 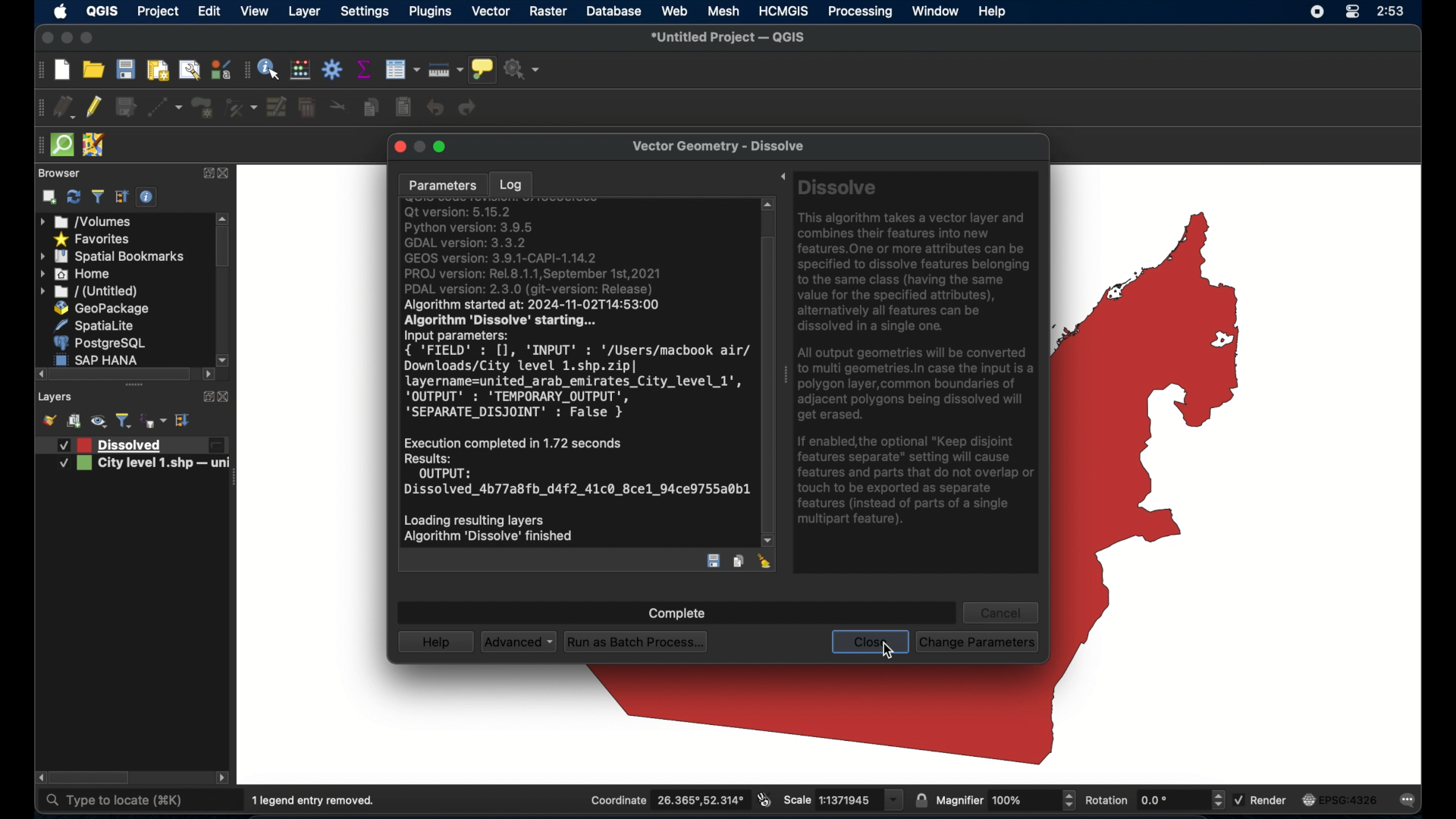 What do you see at coordinates (578, 374) in the screenshot?
I see `log entry` at bounding box center [578, 374].